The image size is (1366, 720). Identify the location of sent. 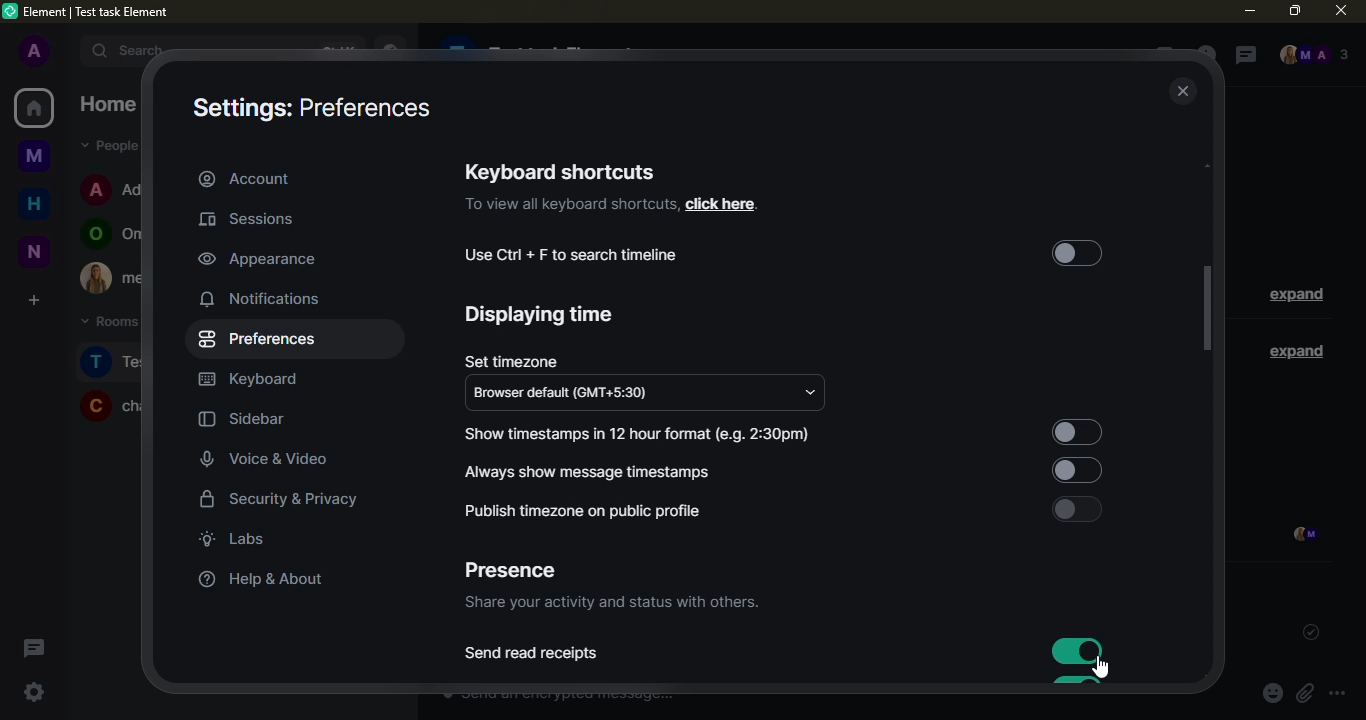
(1306, 632).